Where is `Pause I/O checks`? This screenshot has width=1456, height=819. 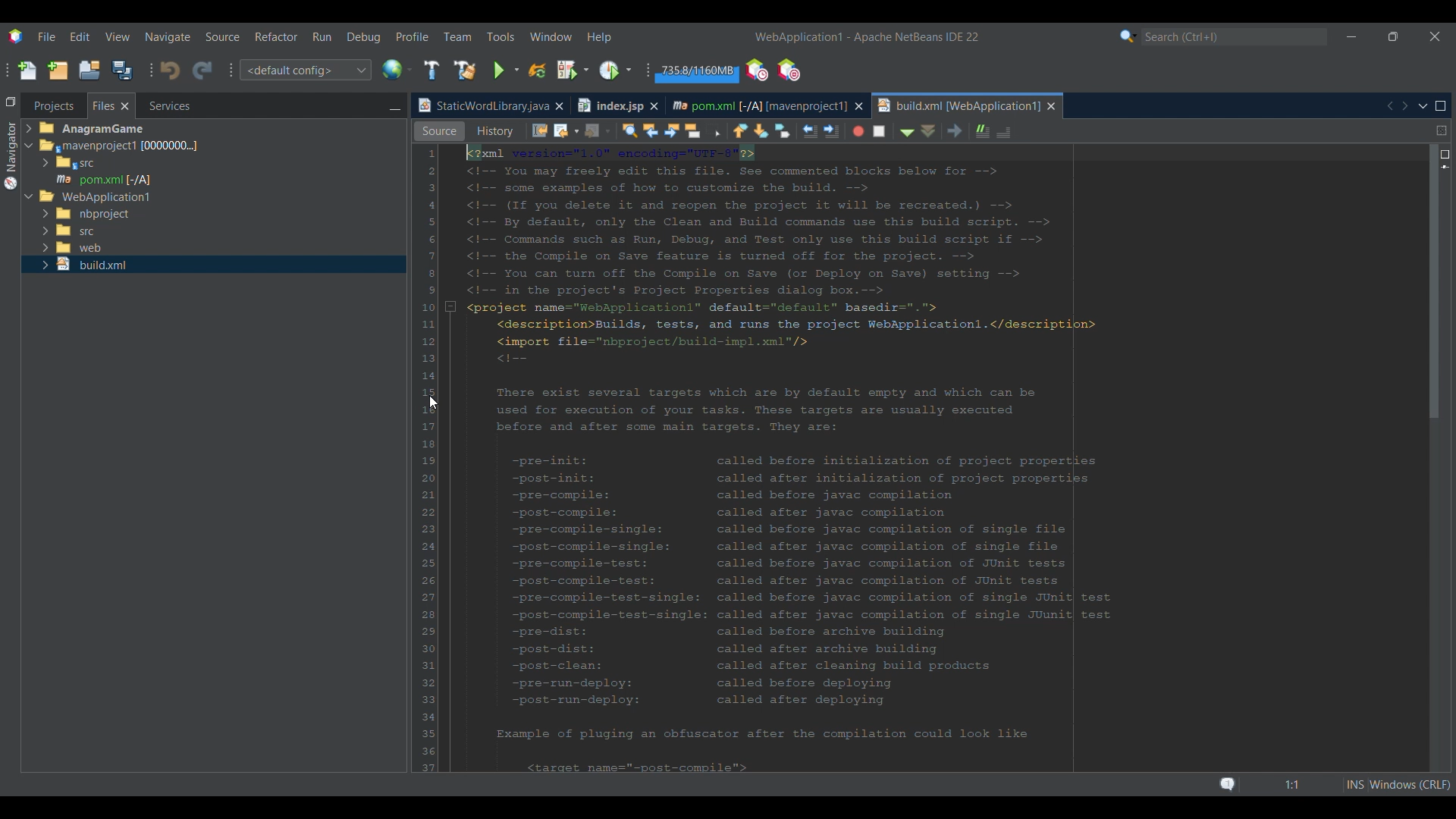 Pause I/O checks is located at coordinates (788, 70).